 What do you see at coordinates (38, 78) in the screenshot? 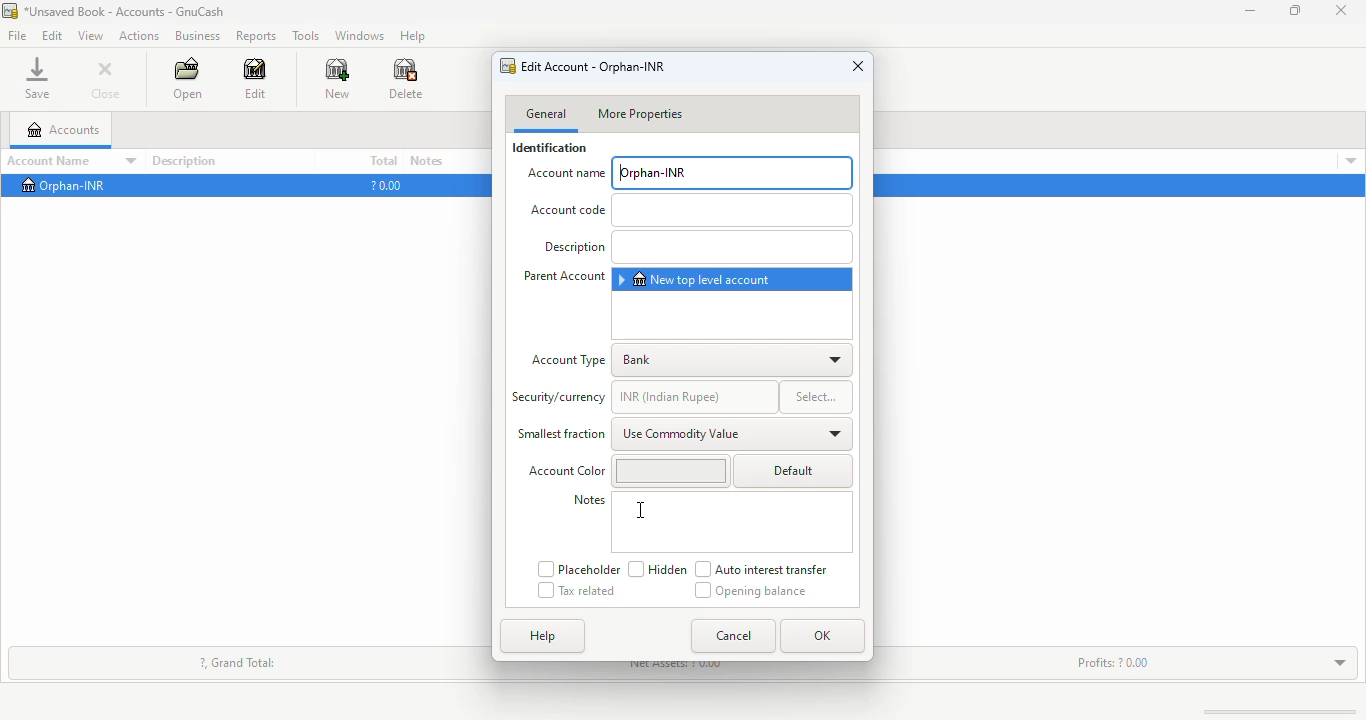
I see `save` at bounding box center [38, 78].